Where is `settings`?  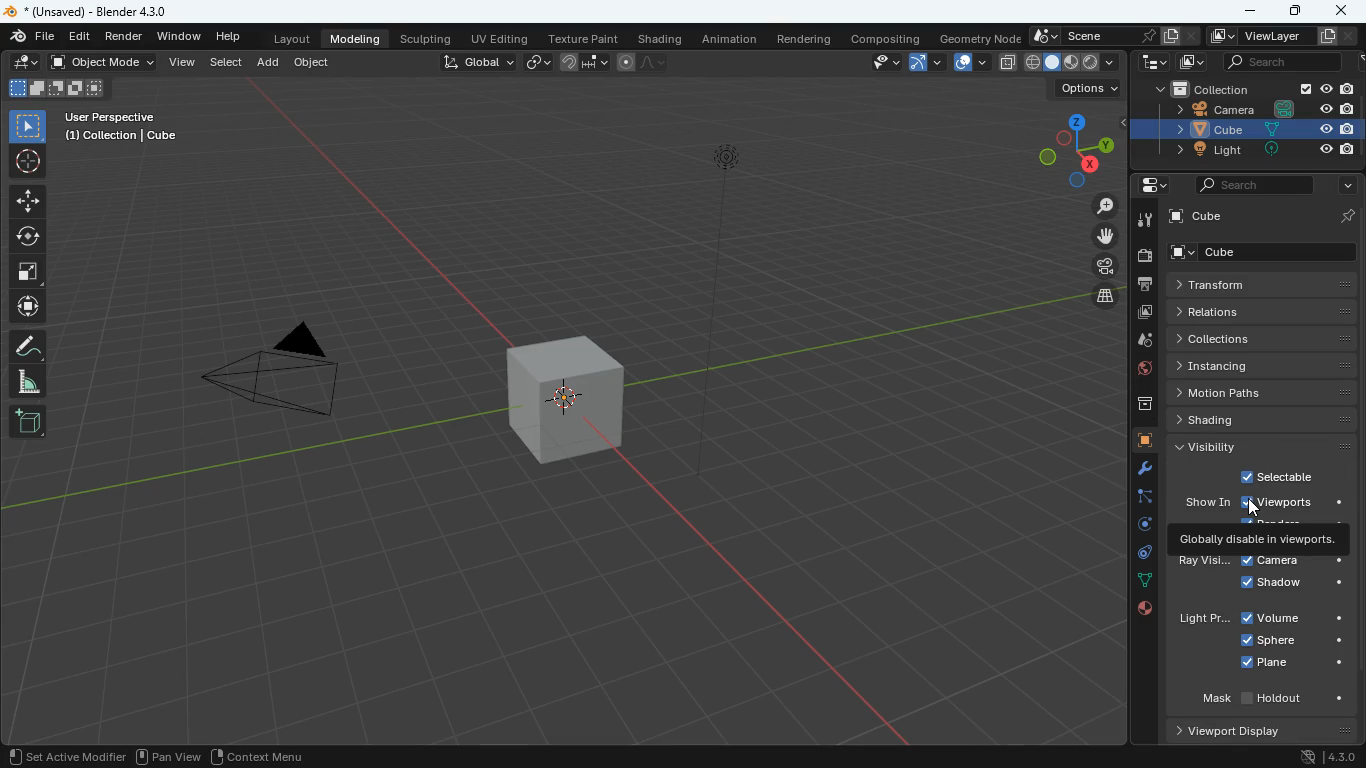
settings is located at coordinates (1147, 187).